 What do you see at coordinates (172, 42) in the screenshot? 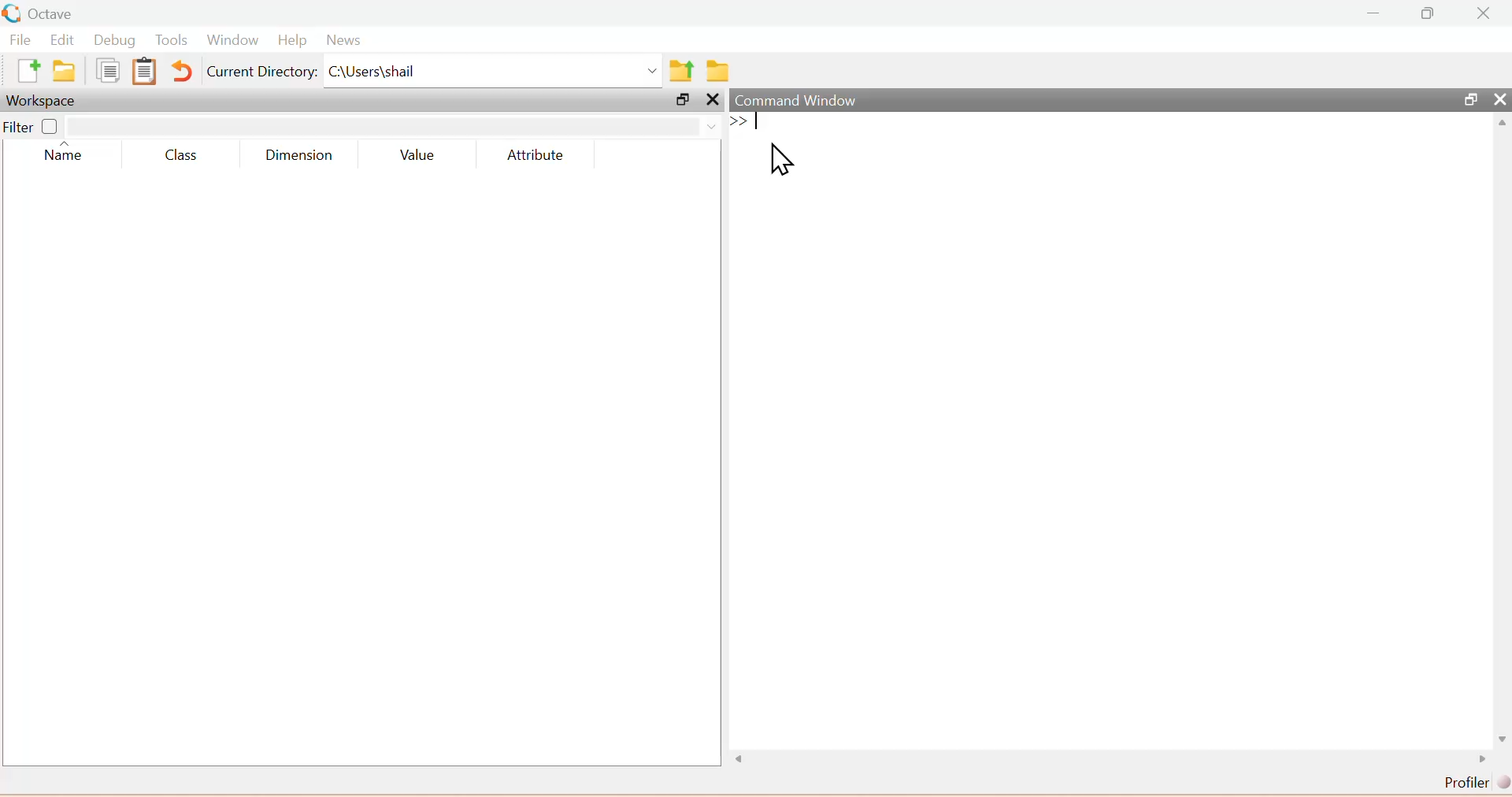
I see `Tools` at bounding box center [172, 42].